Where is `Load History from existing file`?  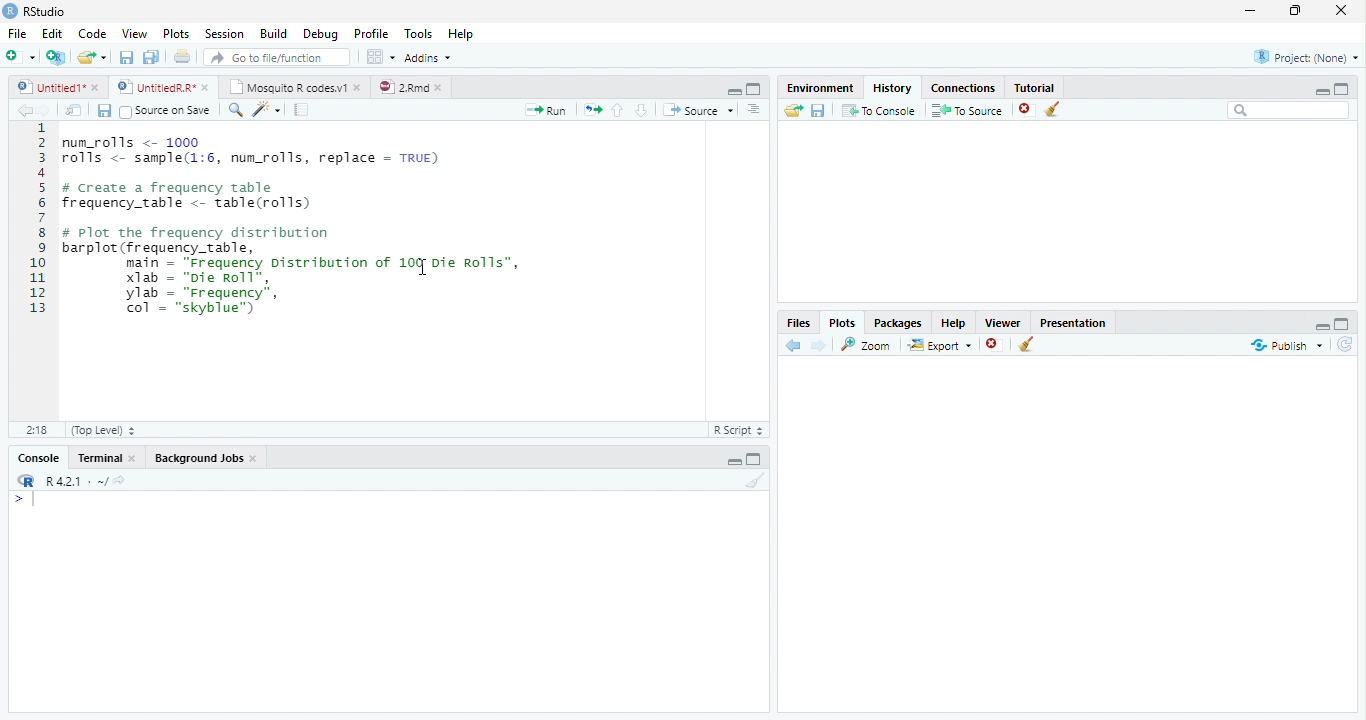 Load History from existing file is located at coordinates (793, 110).